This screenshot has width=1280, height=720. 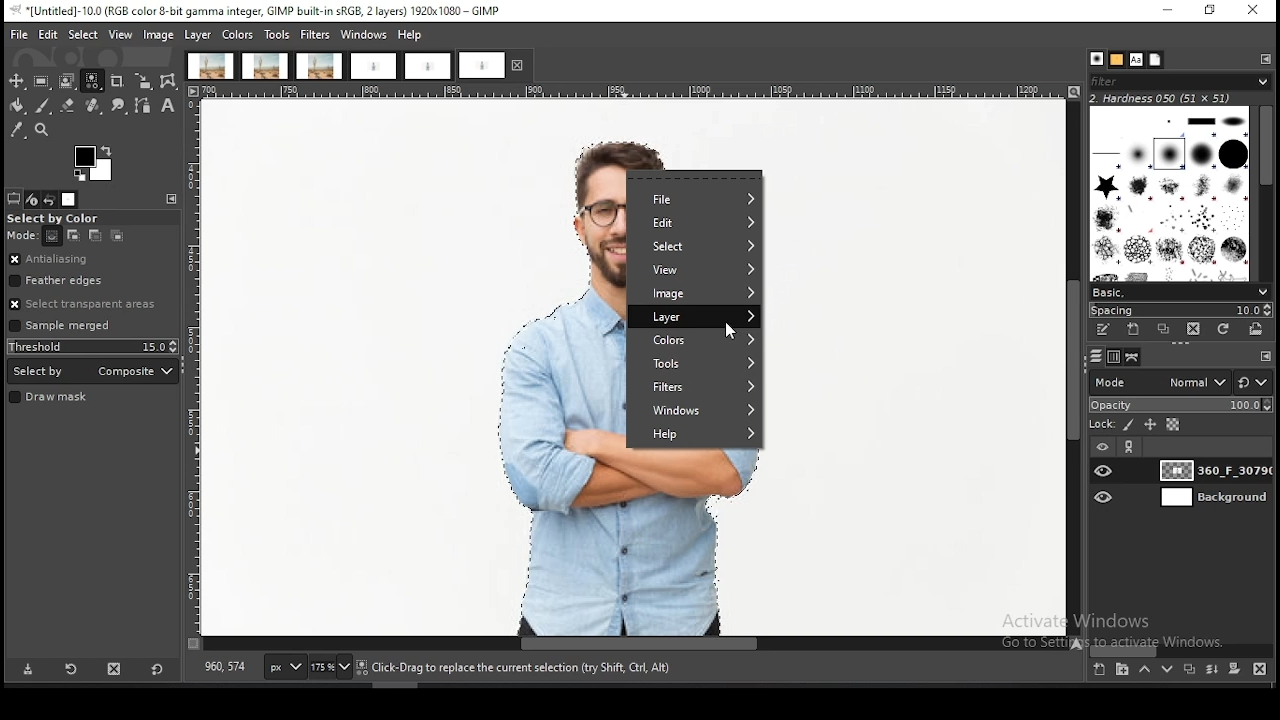 What do you see at coordinates (92, 260) in the screenshot?
I see `antiliasing` at bounding box center [92, 260].